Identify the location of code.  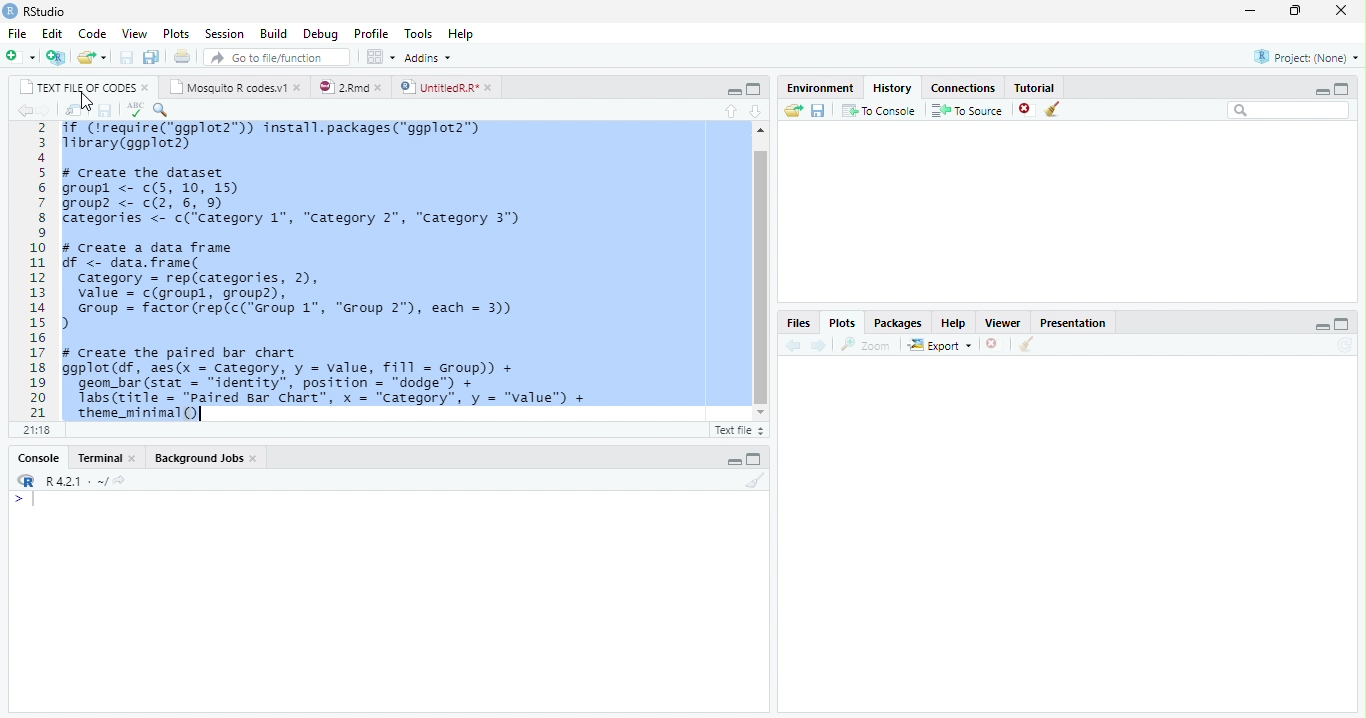
(89, 32).